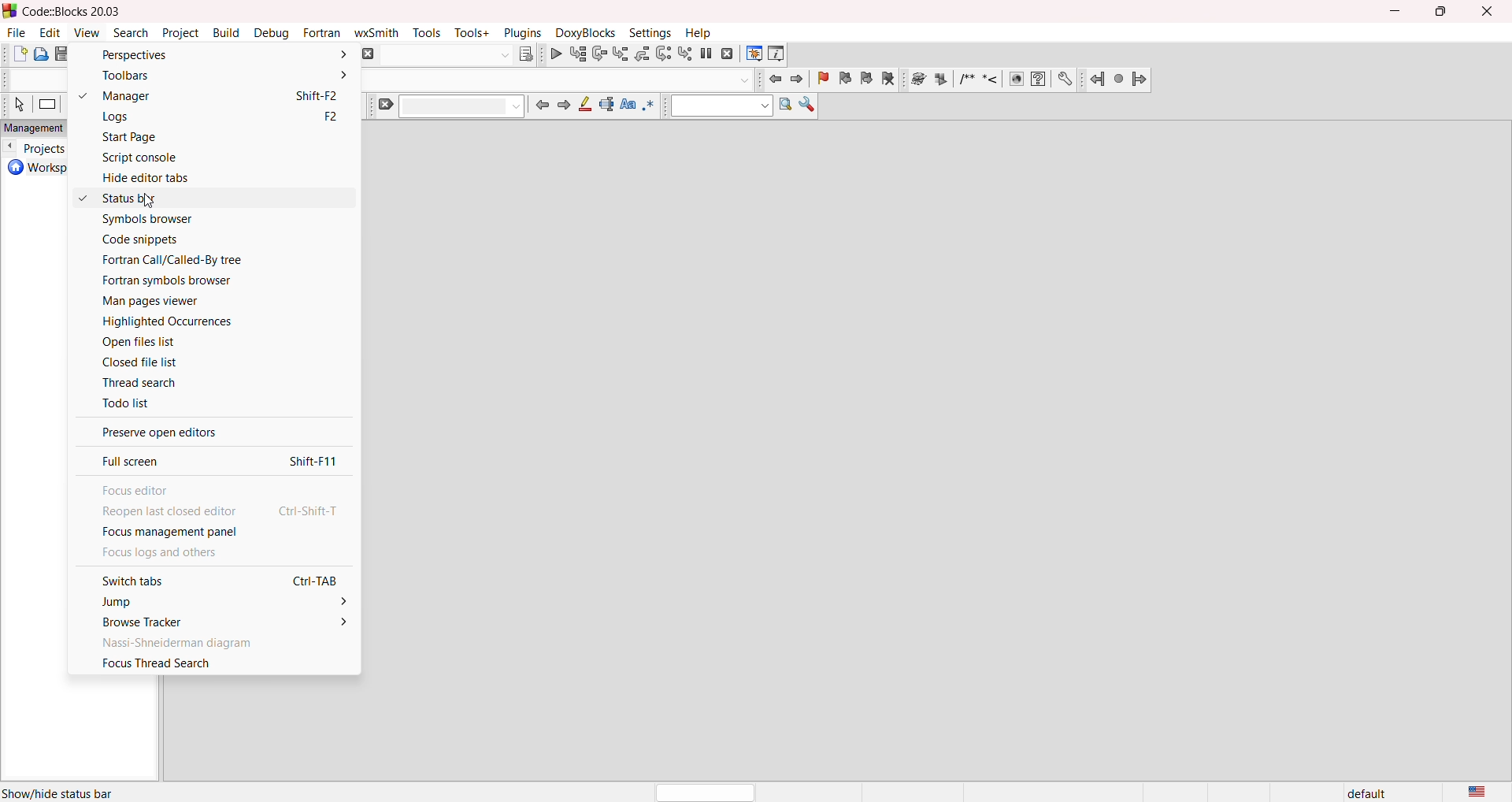 This screenshot has width=1512, height=802. What do you see at coordinates (643, 54) in the screenshot?
I see `step out` at bounding box center [643, 54].